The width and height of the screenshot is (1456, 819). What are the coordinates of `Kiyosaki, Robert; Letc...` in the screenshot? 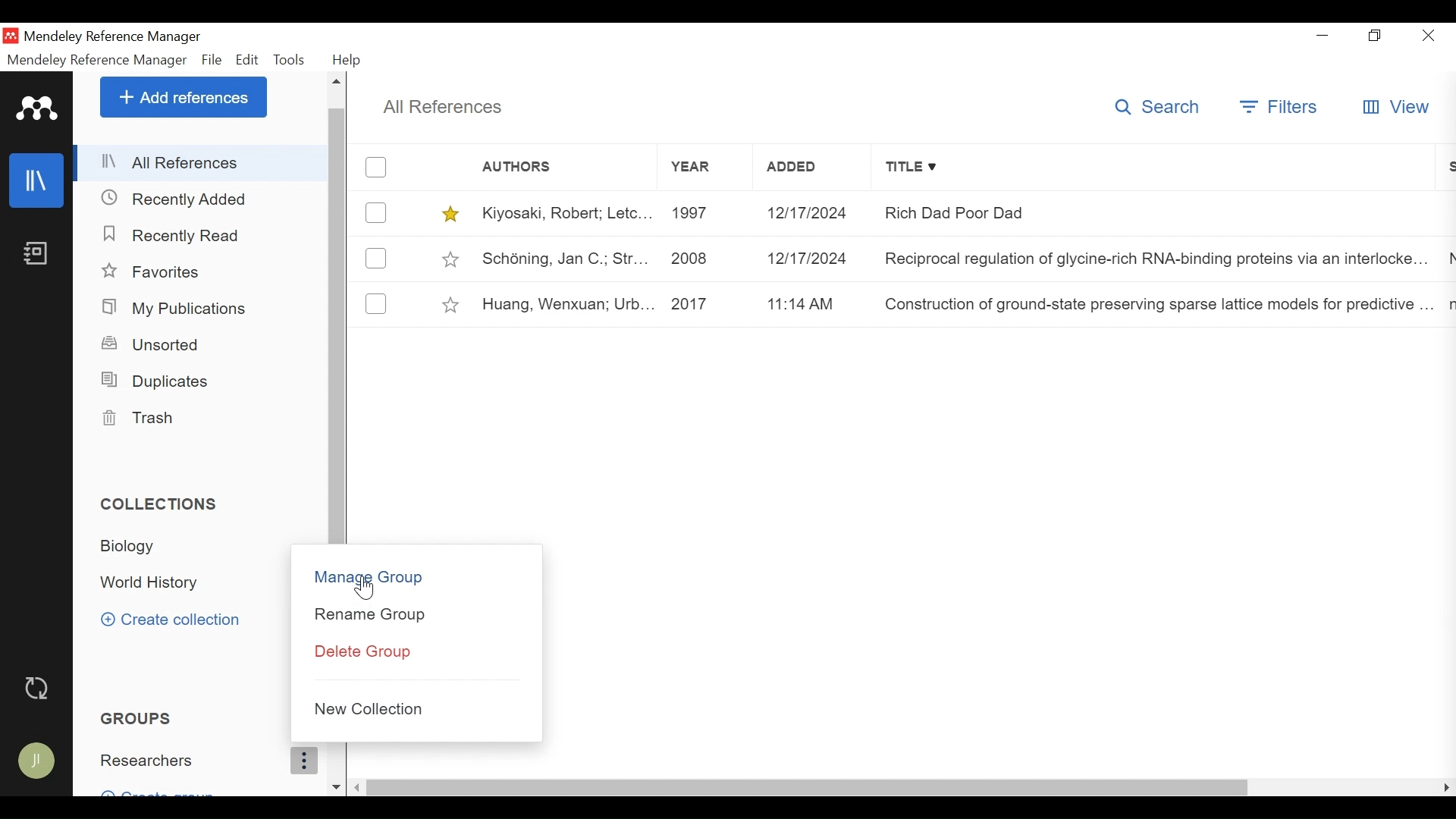 It's located at (565, 214).